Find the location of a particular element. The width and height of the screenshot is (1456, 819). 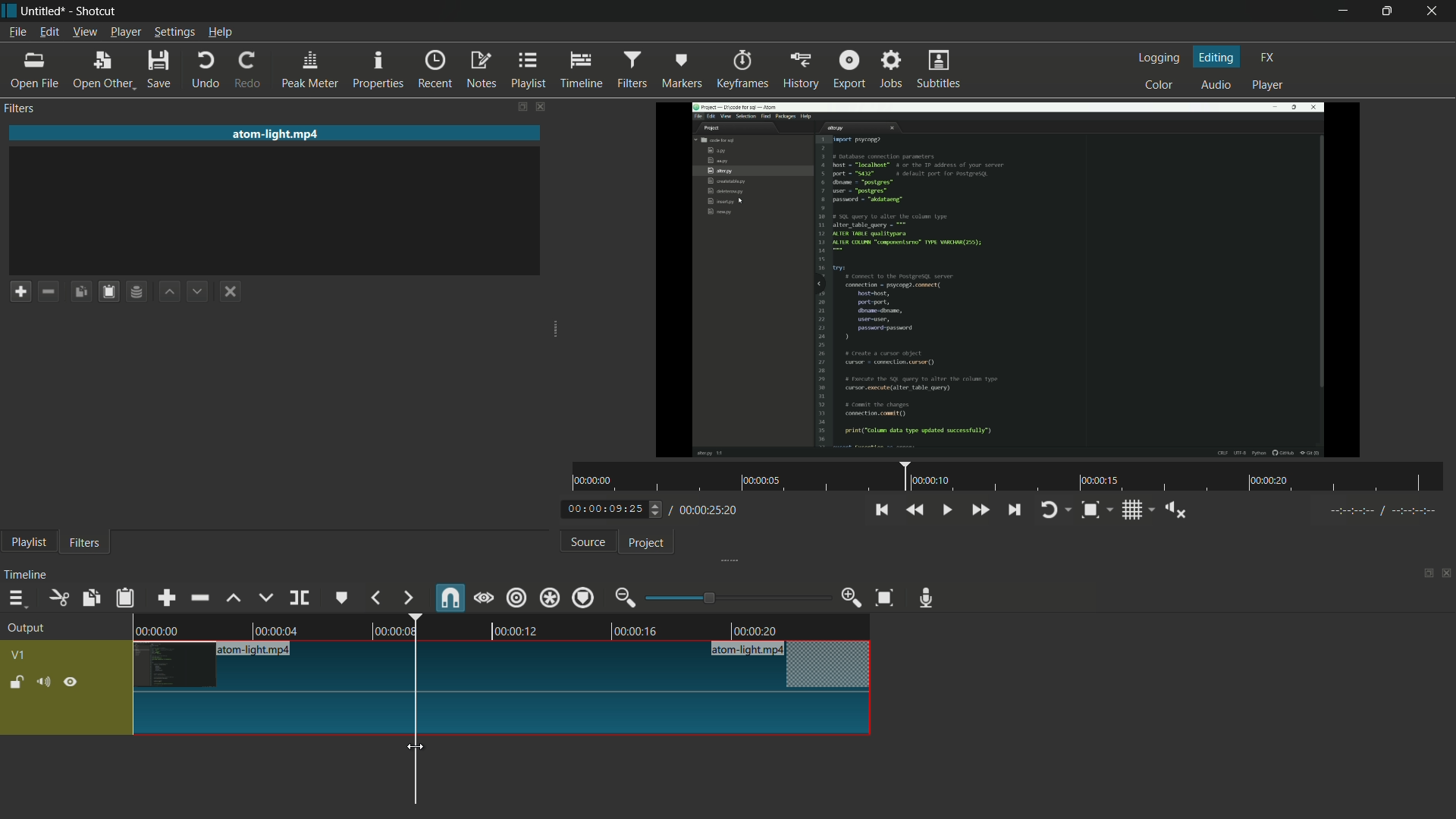

editing is located at coordinates (1217, 56).